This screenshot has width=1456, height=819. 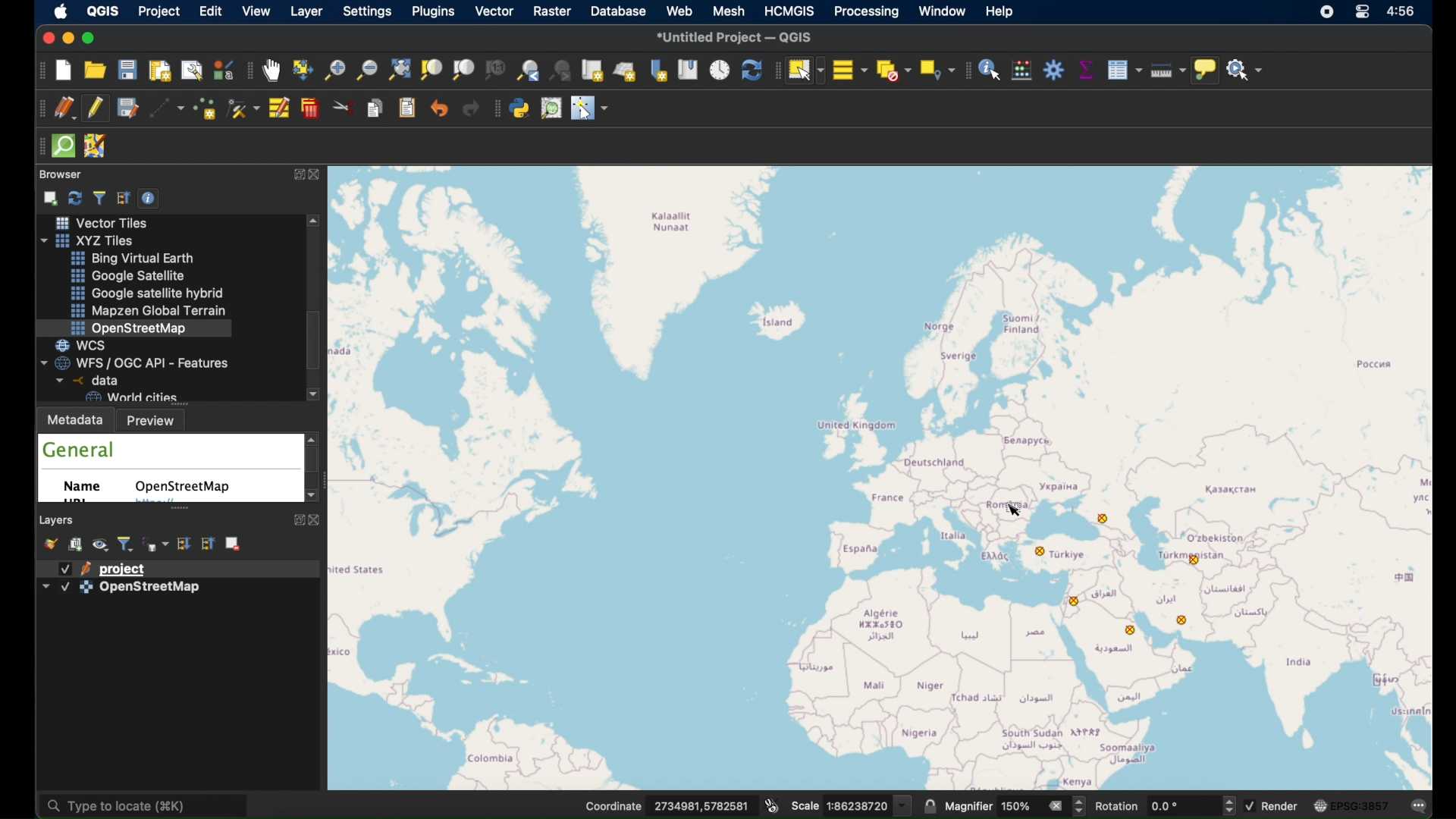 I want to click on web, so click(x=680, y=11).